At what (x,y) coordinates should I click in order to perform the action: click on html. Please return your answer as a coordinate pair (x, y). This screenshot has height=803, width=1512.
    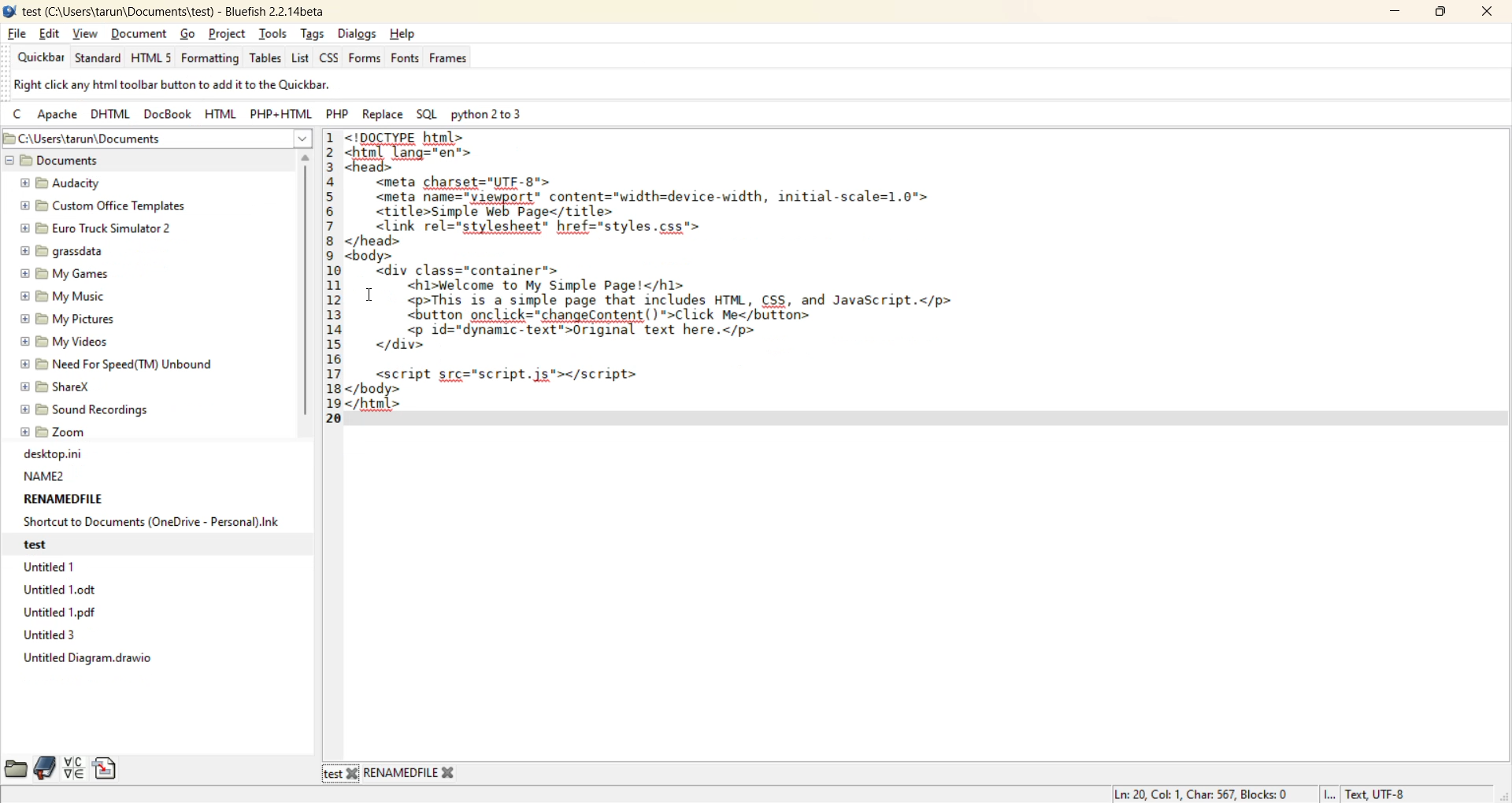
    Looking at the image, I should click on (220, 113).